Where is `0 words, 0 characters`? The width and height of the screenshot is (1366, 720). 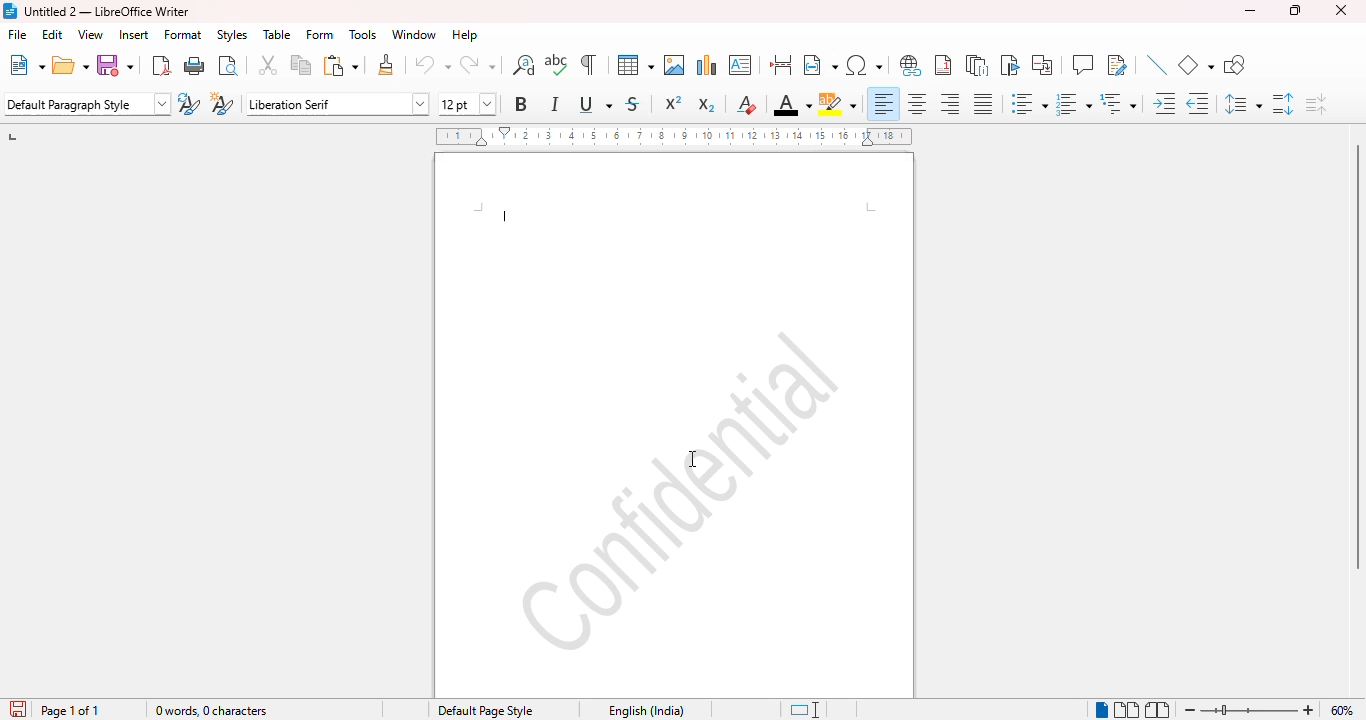
0 words, 0 characters is located at coordinates (244, 709).